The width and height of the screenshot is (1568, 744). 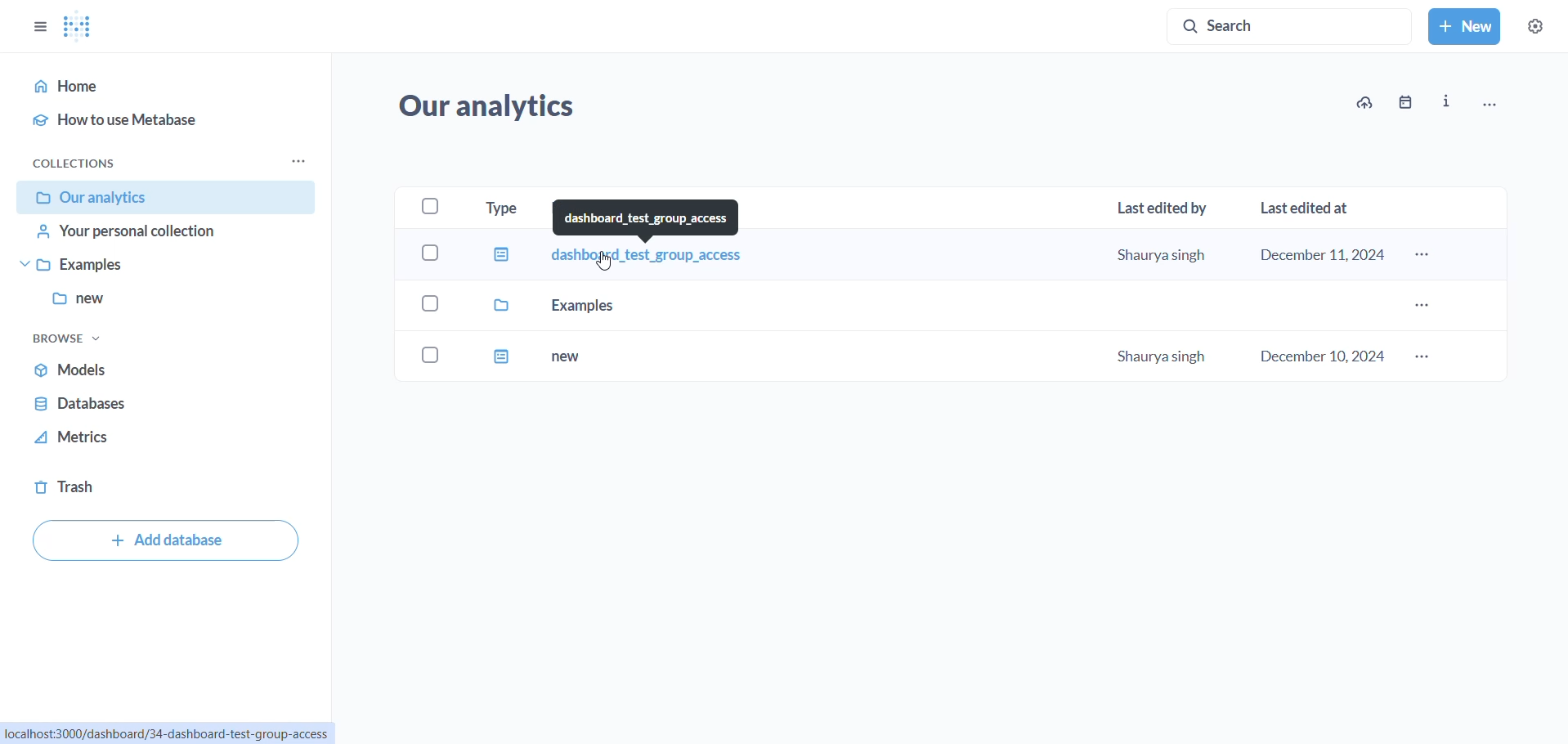 What do you see at coordinates (1286, 25) in the screenshot?
I see `search` at bounding box center [1286, 25].